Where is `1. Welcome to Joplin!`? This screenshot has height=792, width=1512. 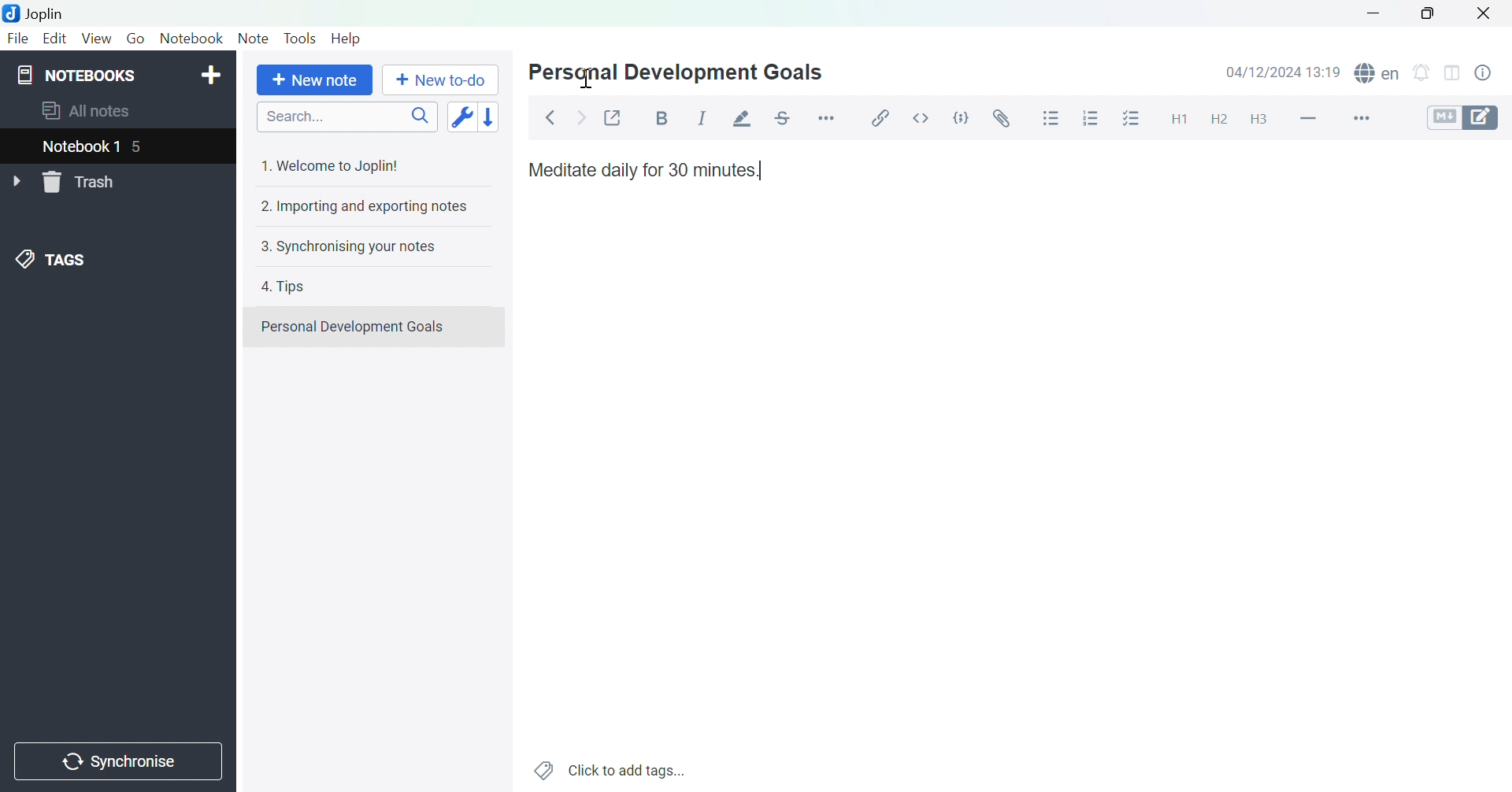 1. Welcome to Joplin! is located at coordinates (336, 165).